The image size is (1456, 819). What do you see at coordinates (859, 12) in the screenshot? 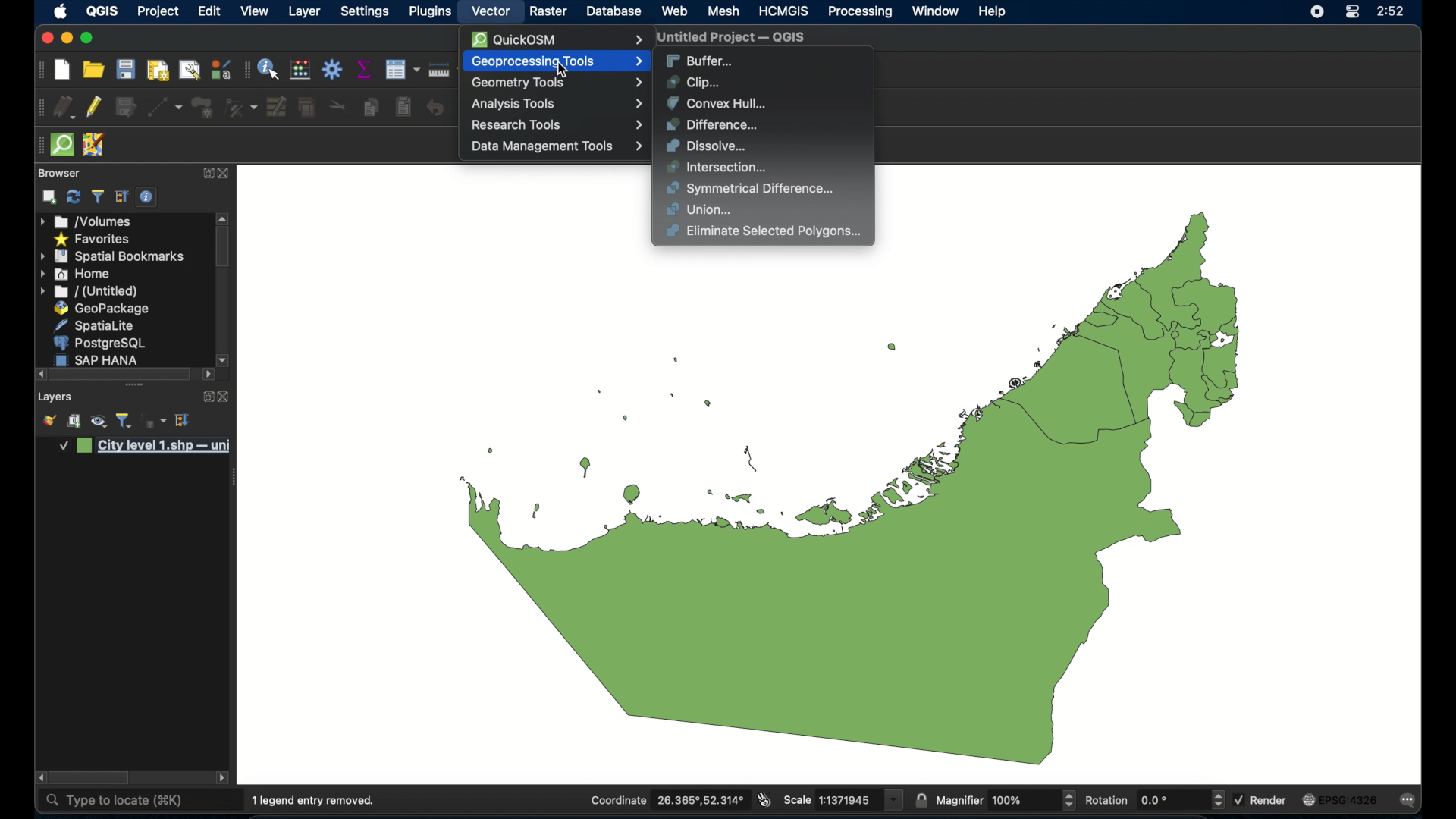
I see `processing` at bounding box center [859, 12].